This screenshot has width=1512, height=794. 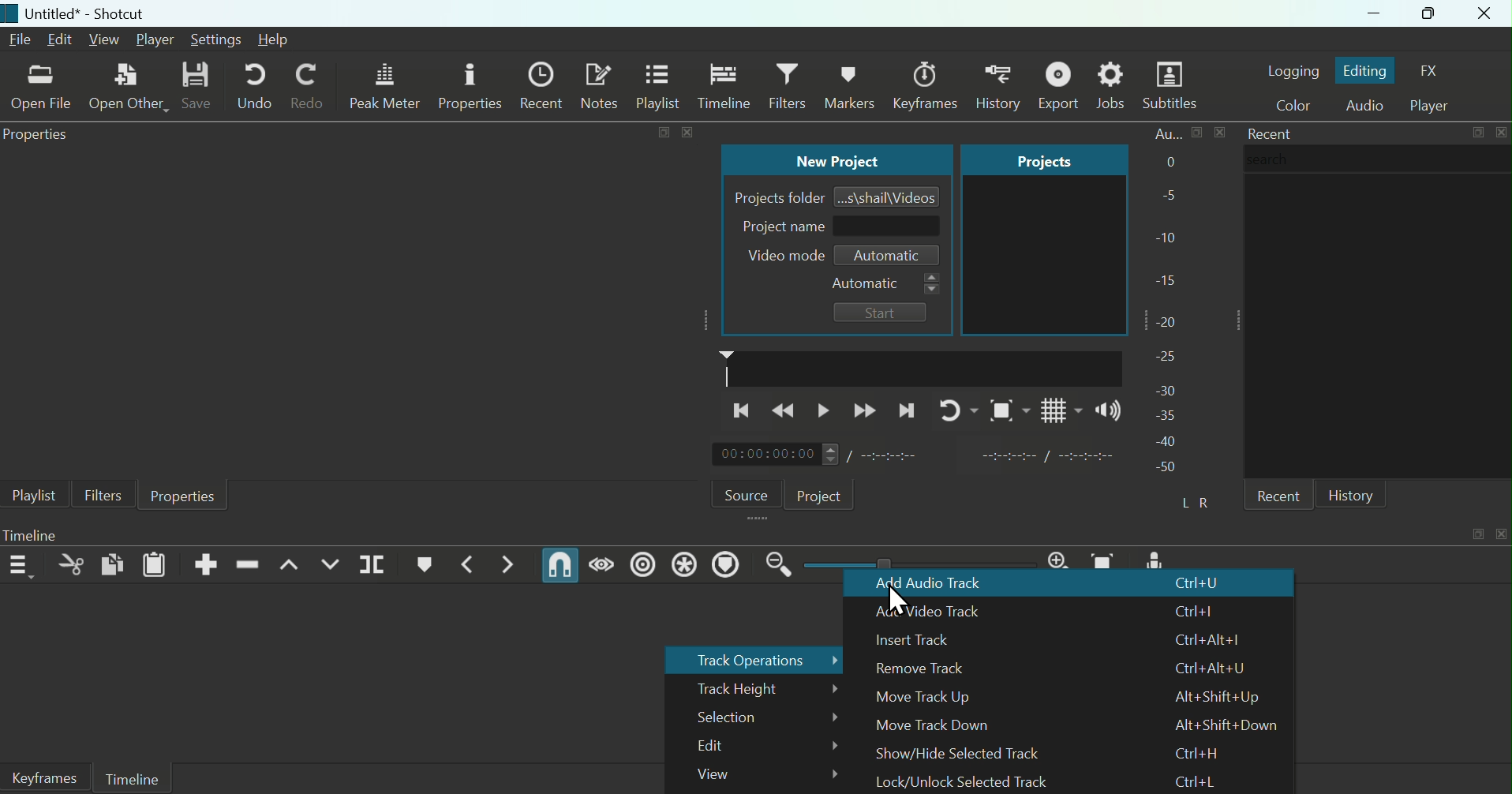 What do you see at coordinates (248, 564) in the screenshot?
I see `Ripple/Delete` at bounding box center [248, 564].